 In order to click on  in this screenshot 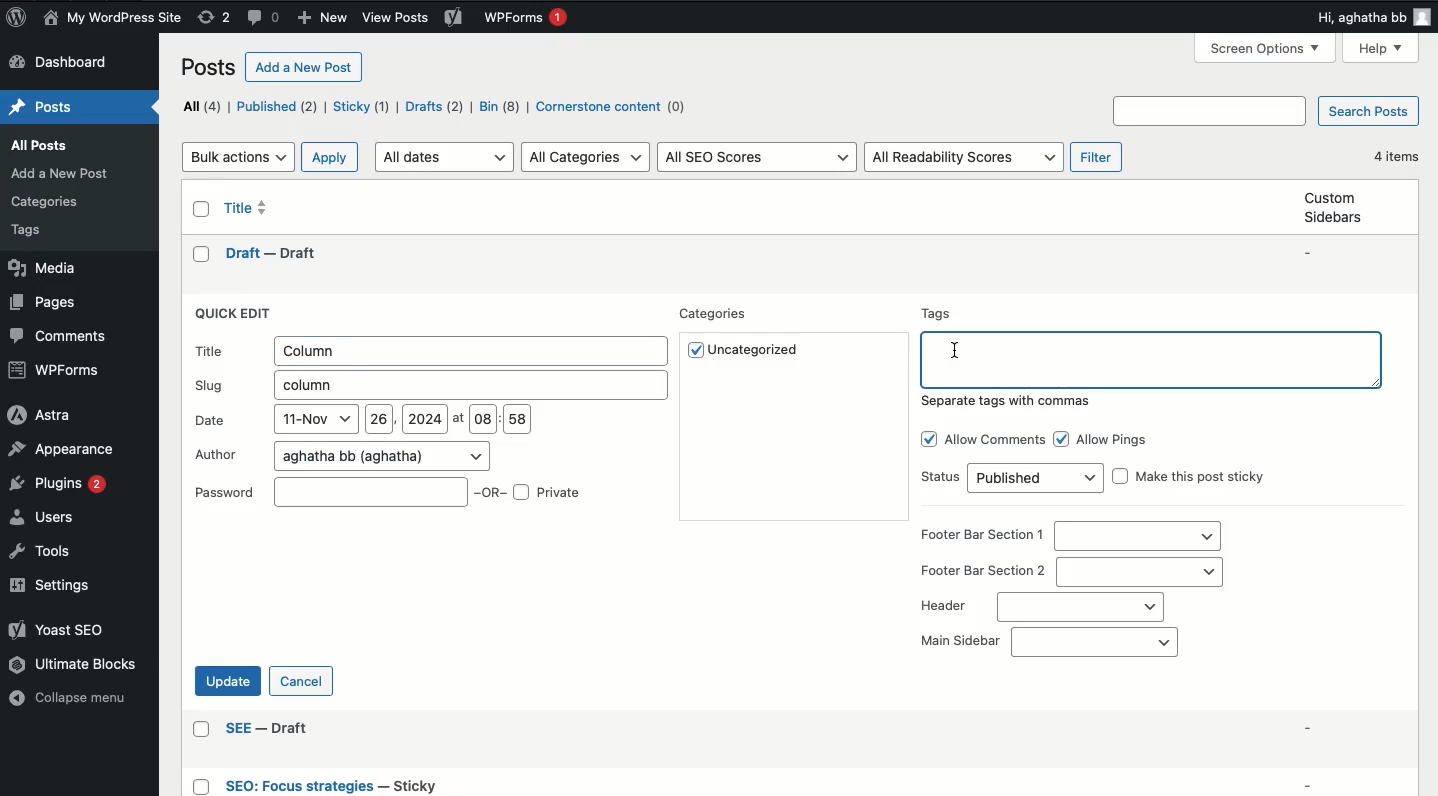, I will do `click(394, 19)`.